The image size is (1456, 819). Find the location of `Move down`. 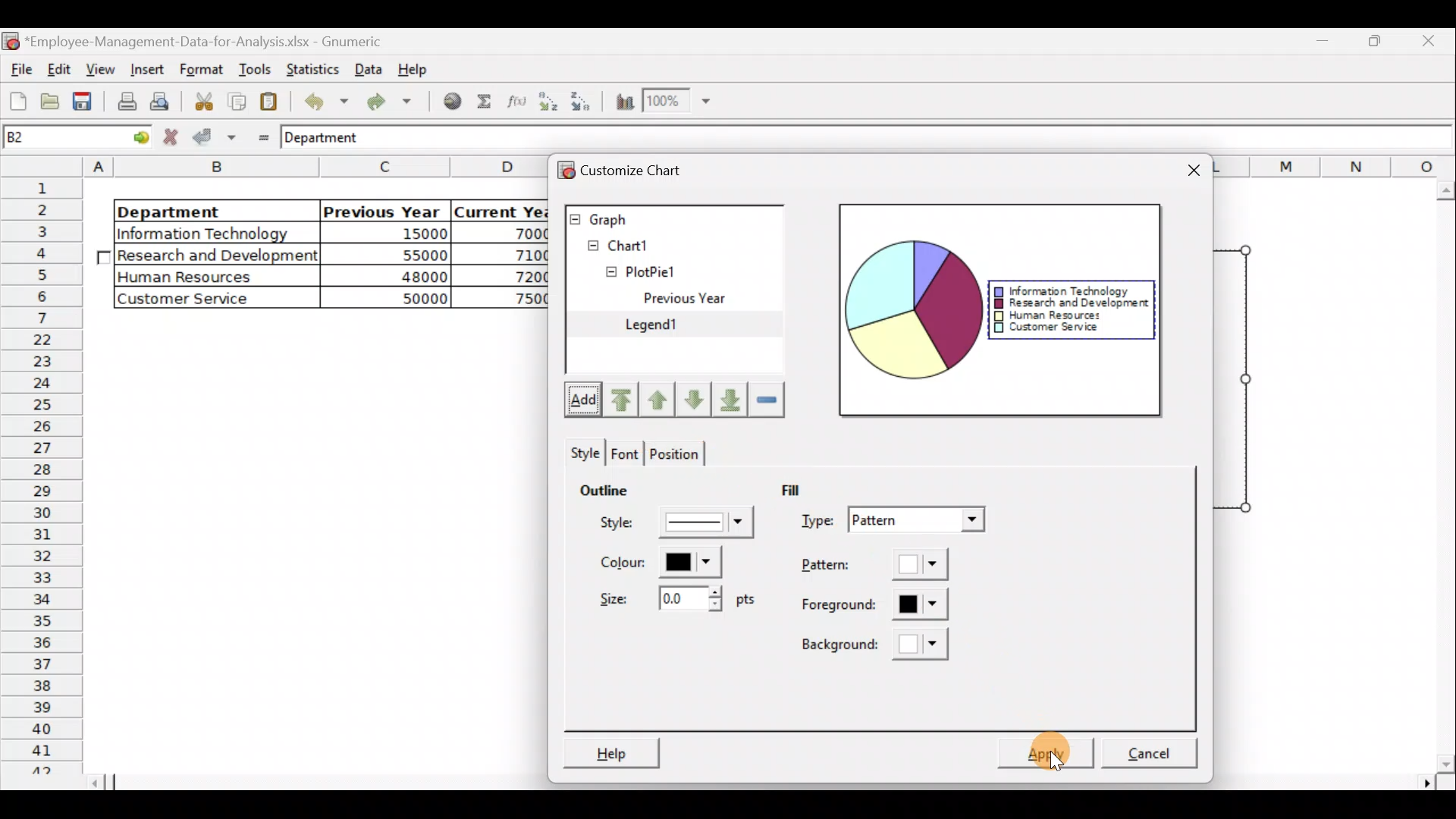

Move down is located at coordinates (693, 400).